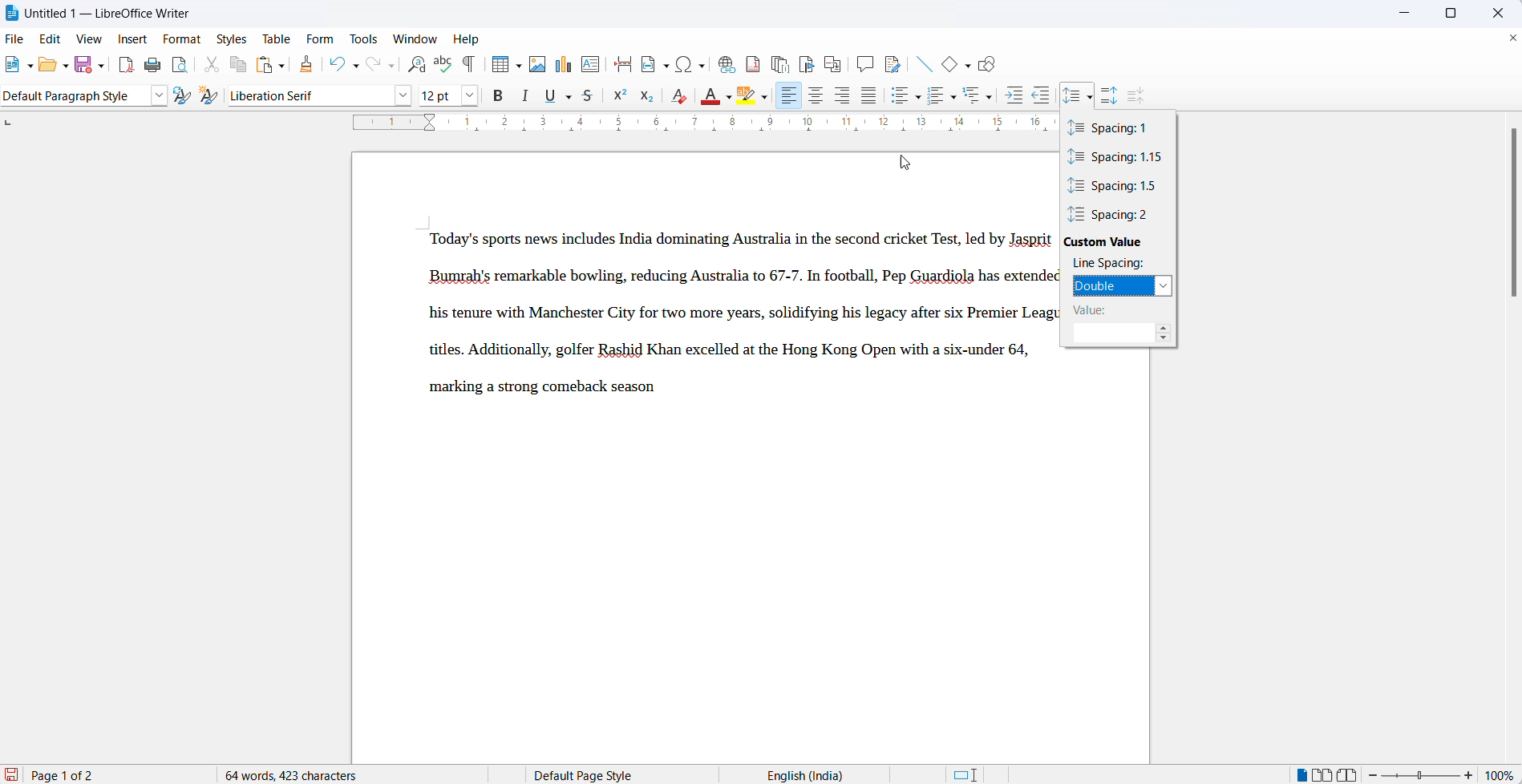 This screenshot has height=784, width=1522. What do you see at coordinates (1508, 219) in the screenshot?
I see `vertical scrollbar` at bounding box center [1508, 219].